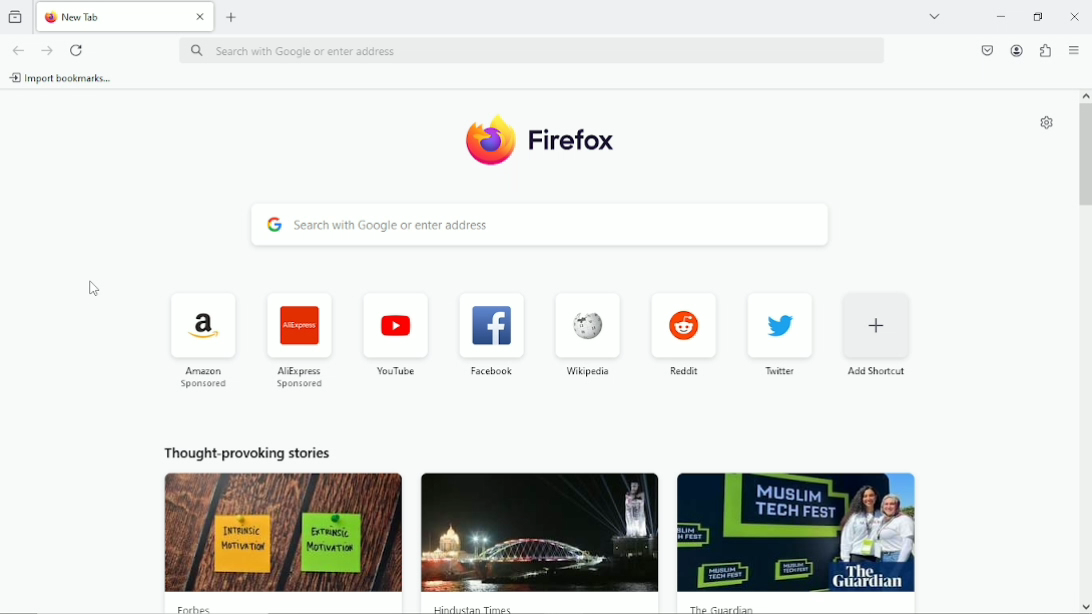 This screenshot has height=614, width=1092. Describe the element at coordinates (878, 334) in the screenshot. I see `Add shortcut` at that location.